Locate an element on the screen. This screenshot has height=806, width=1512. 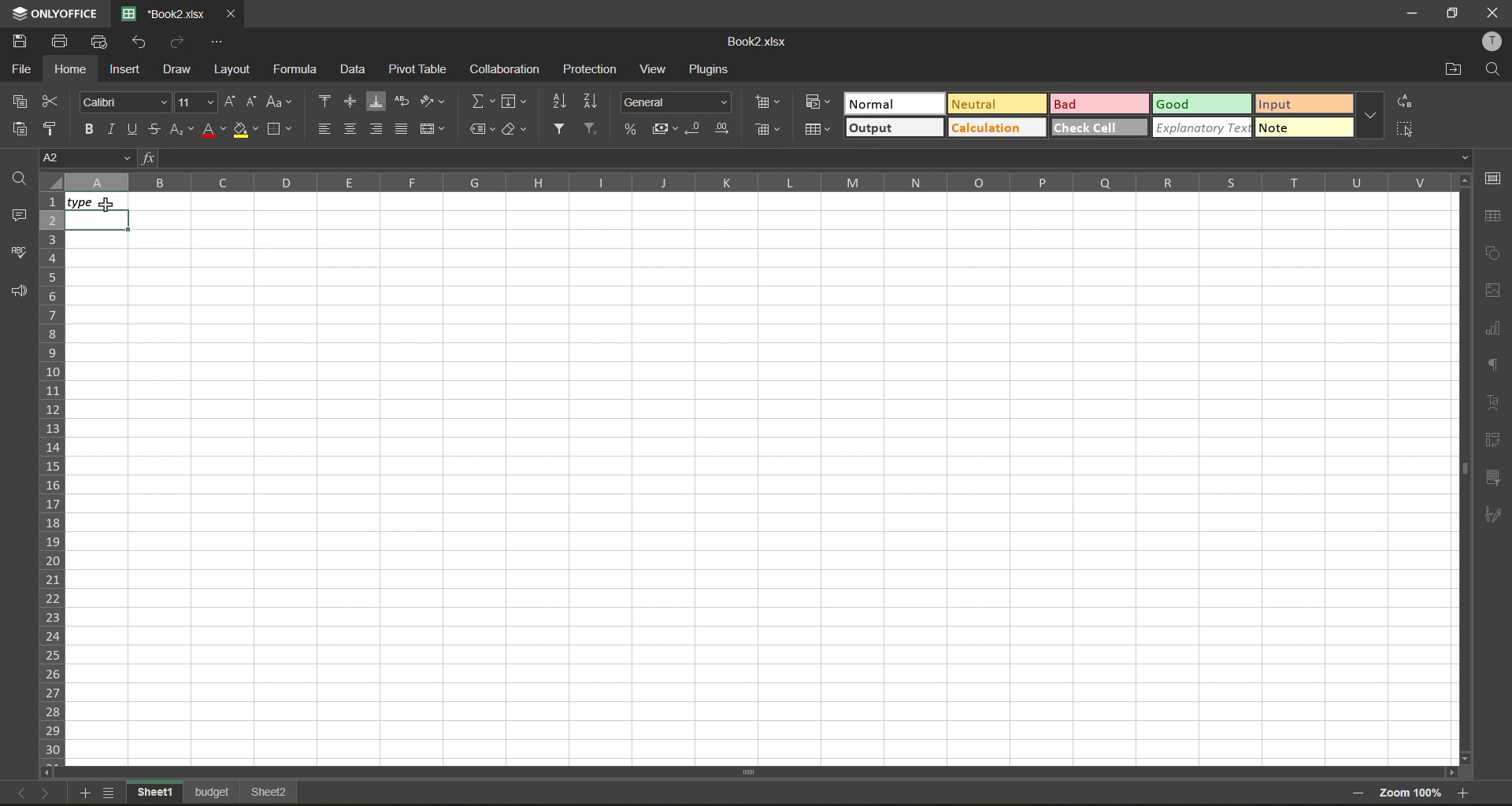
align left is located at coordinates (324, 129).